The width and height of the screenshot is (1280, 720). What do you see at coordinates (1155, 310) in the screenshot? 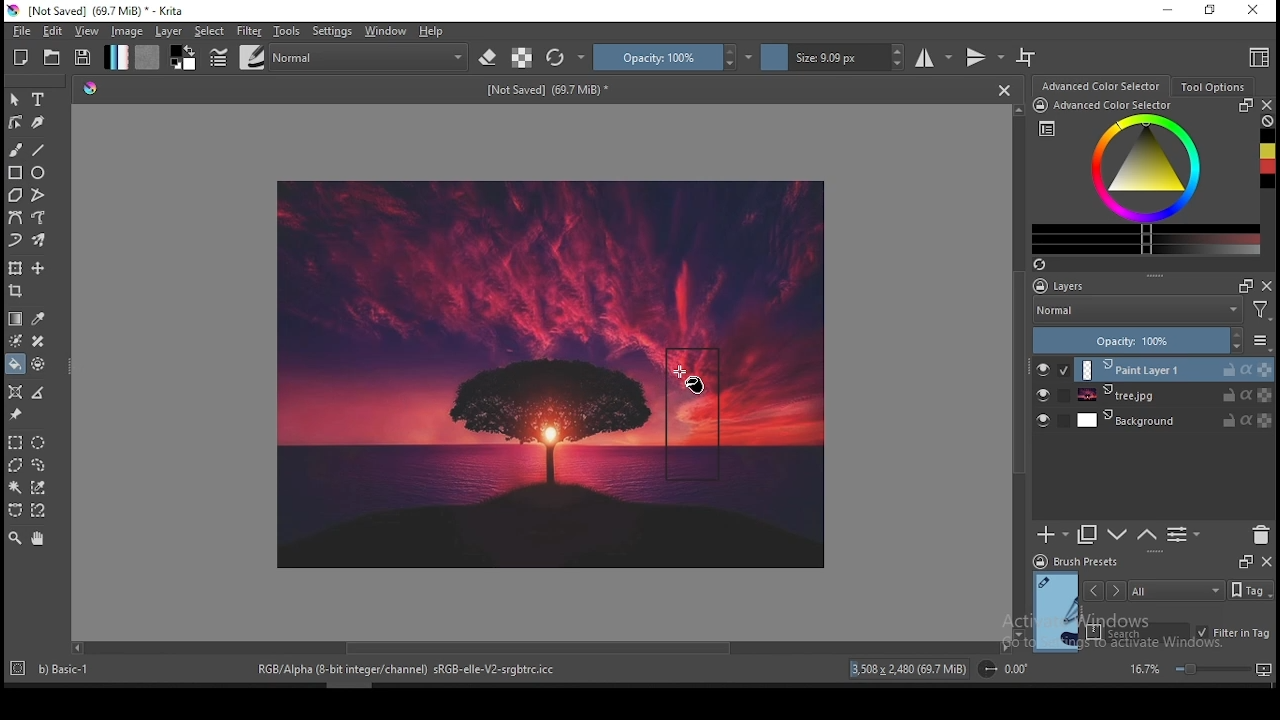
I see `blending mode` at bounding box center [1155, 310].